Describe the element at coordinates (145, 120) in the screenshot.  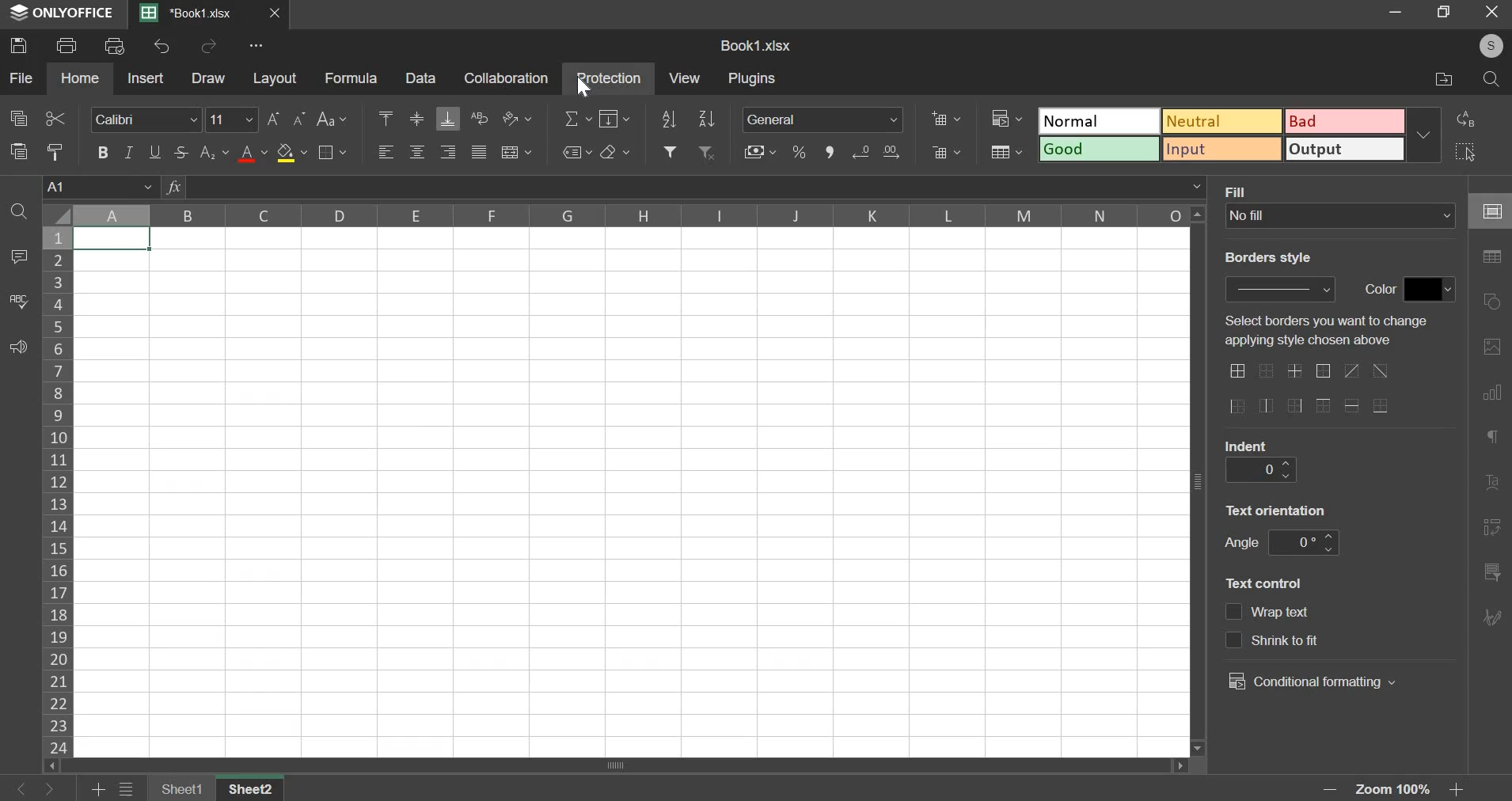
I see `font` at that location.